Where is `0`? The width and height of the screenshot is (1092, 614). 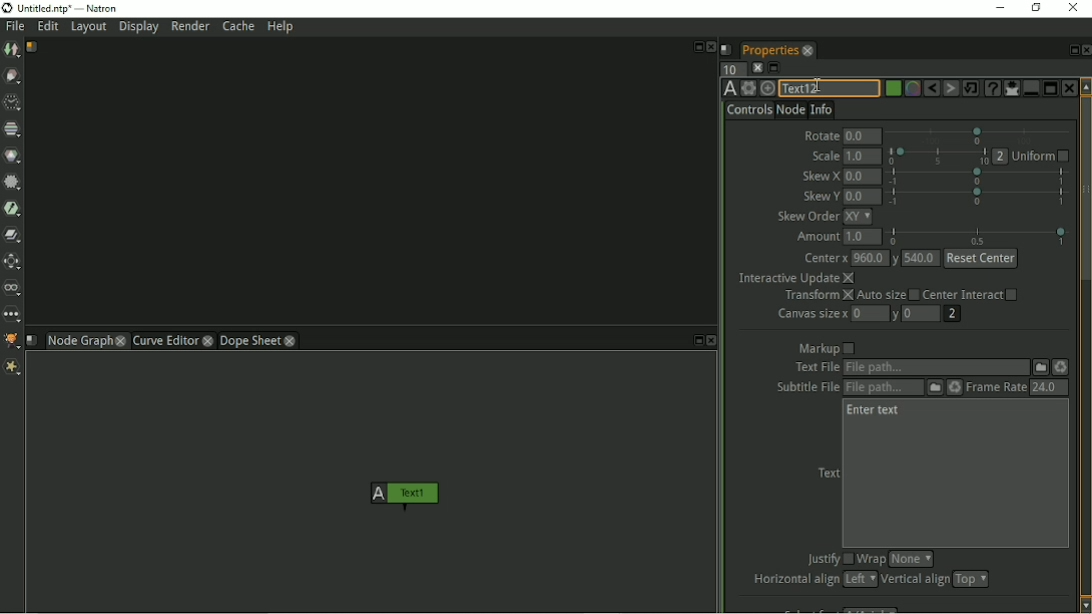 0 is located at coordinates (923, 314).